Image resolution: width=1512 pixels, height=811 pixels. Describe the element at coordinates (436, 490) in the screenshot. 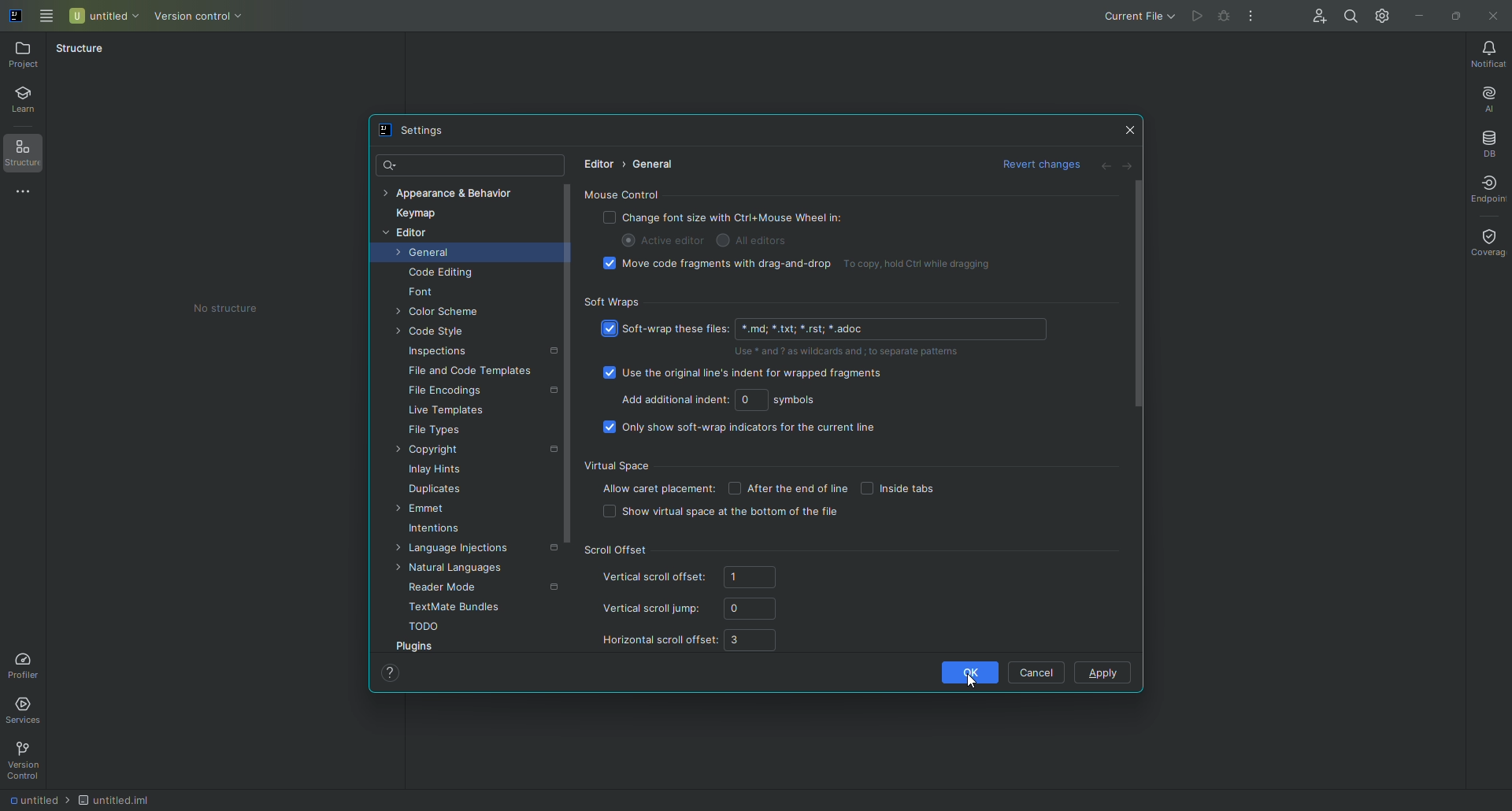

I see `Duplicates` at that location.